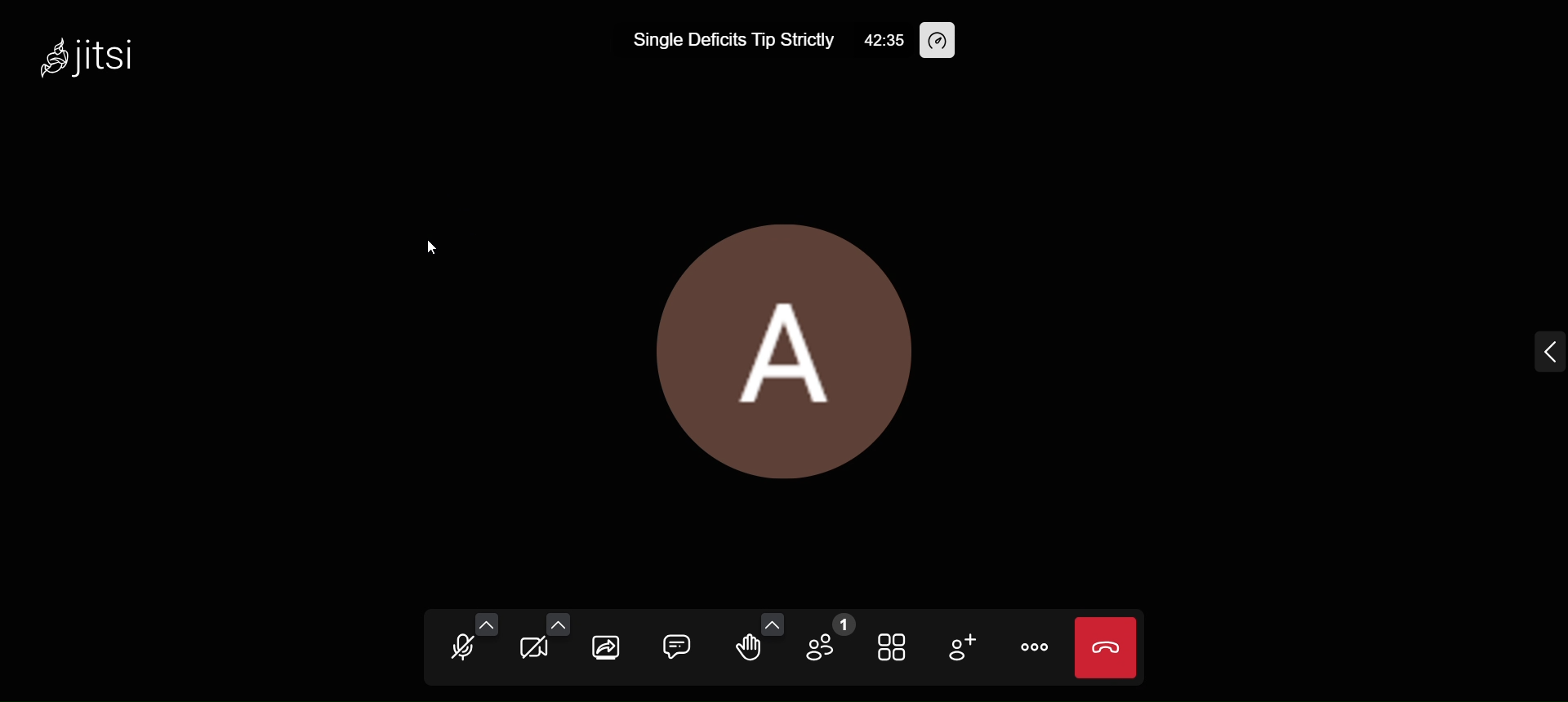 Image resolution: width=1568 pixels, height=702 pixels. Describe the element at coordinates (895, 645) in the screenshot. I see `tile view` at that location.